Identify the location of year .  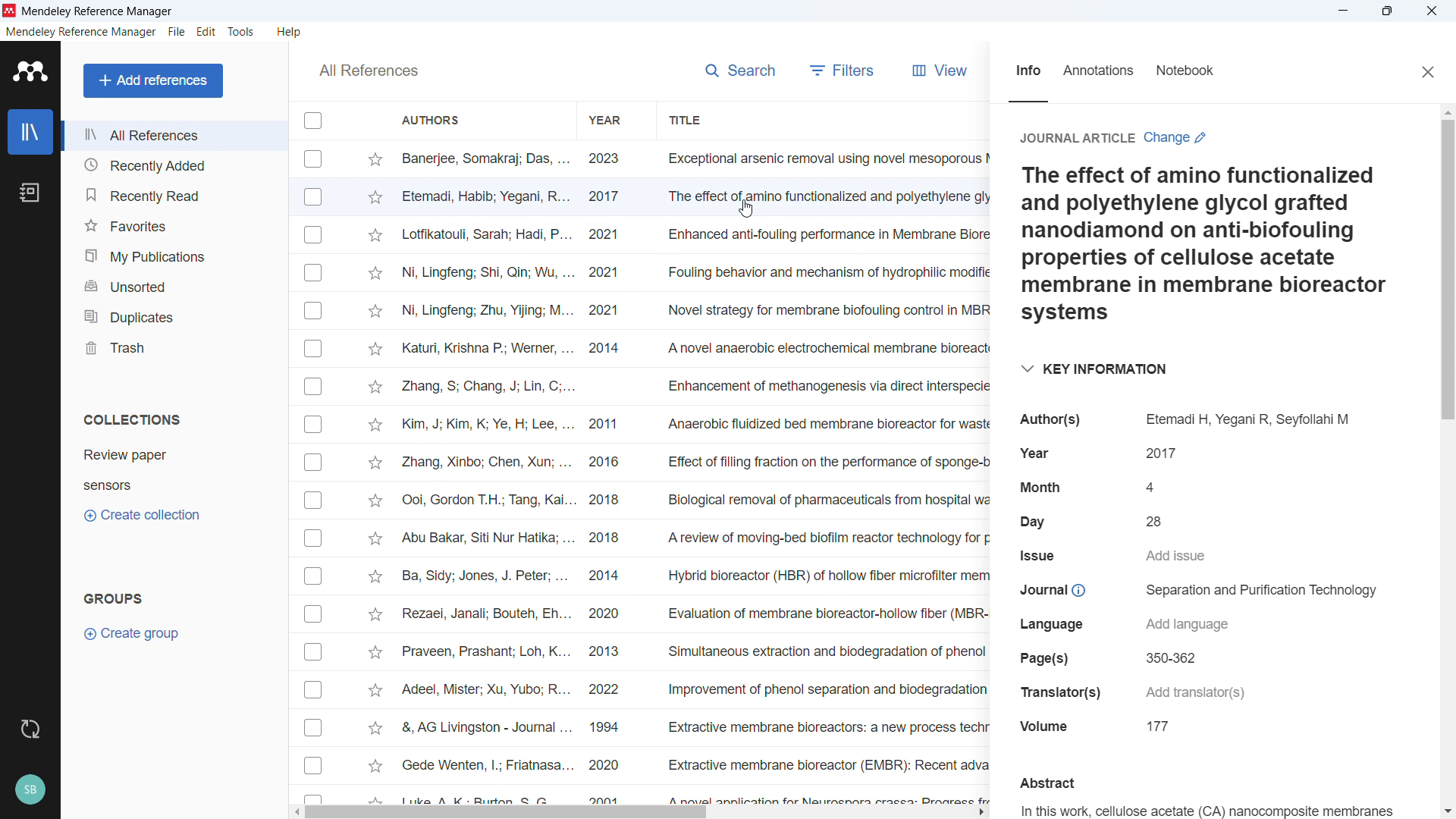
(1105, 453).